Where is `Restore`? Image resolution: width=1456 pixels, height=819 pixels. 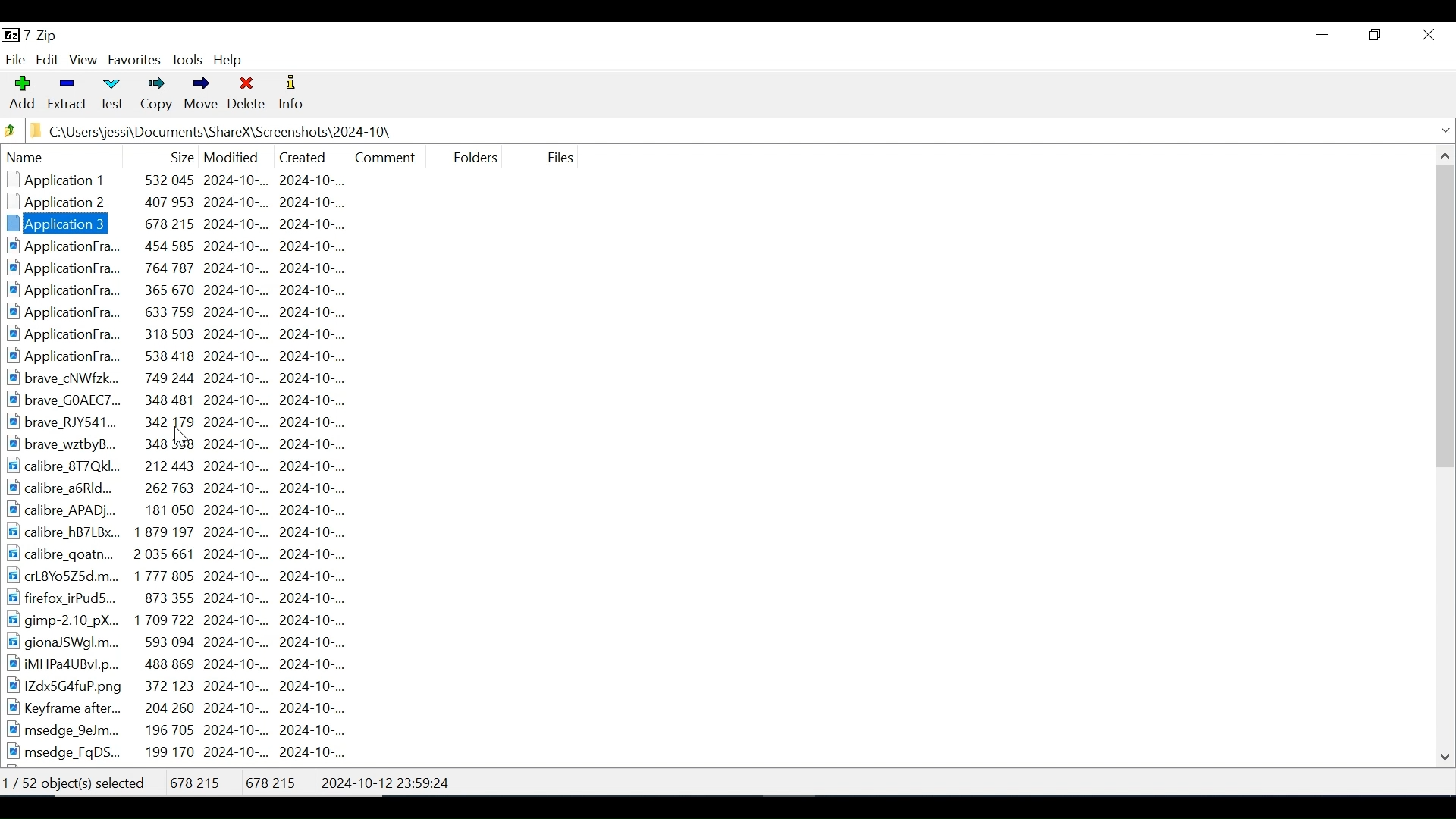 Restore is located at coordinates (1377, 34).